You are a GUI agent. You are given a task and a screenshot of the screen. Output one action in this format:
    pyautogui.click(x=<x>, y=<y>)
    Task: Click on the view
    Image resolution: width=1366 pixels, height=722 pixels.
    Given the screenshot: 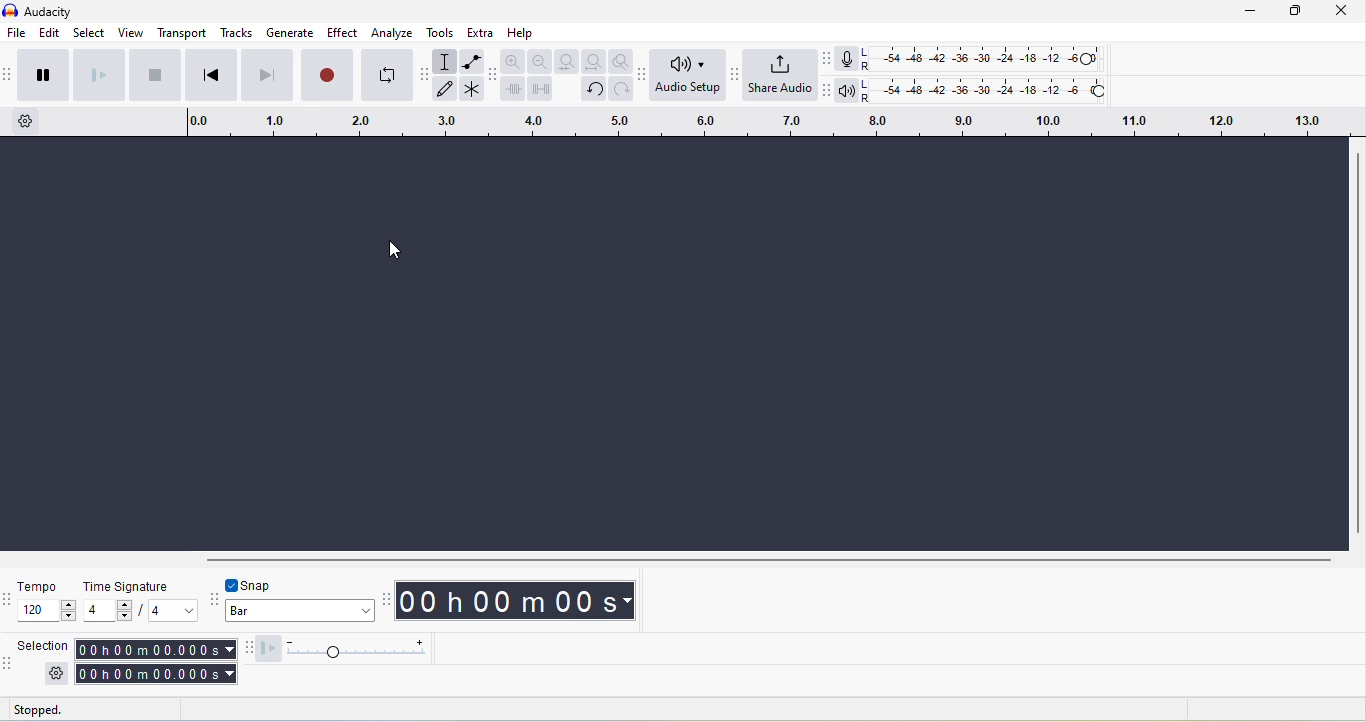 What is the action you would take?
    pyautogui.click(x=132, y=31)
    